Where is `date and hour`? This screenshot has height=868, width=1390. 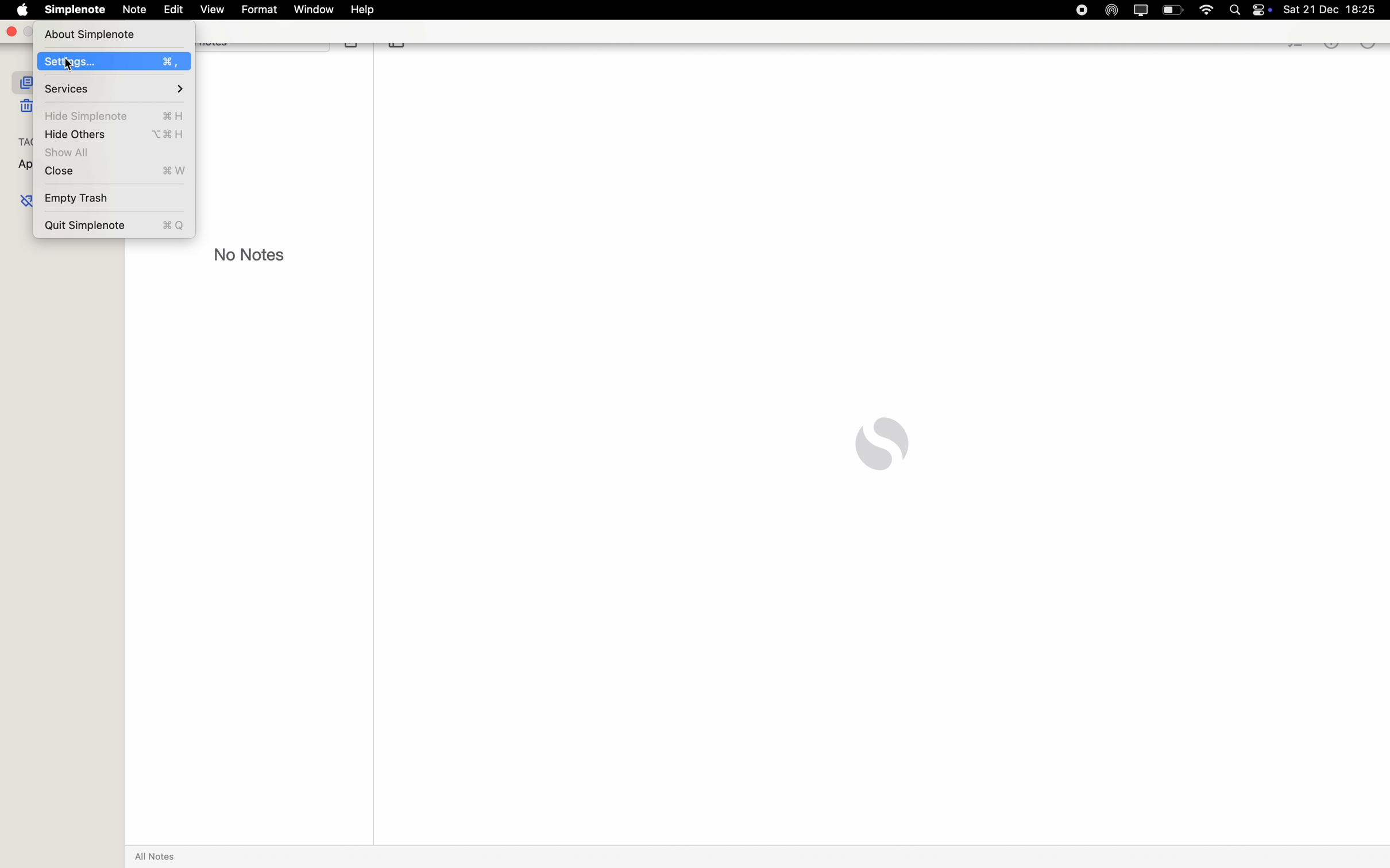
date and hour is located at coordinates (1330, 9).